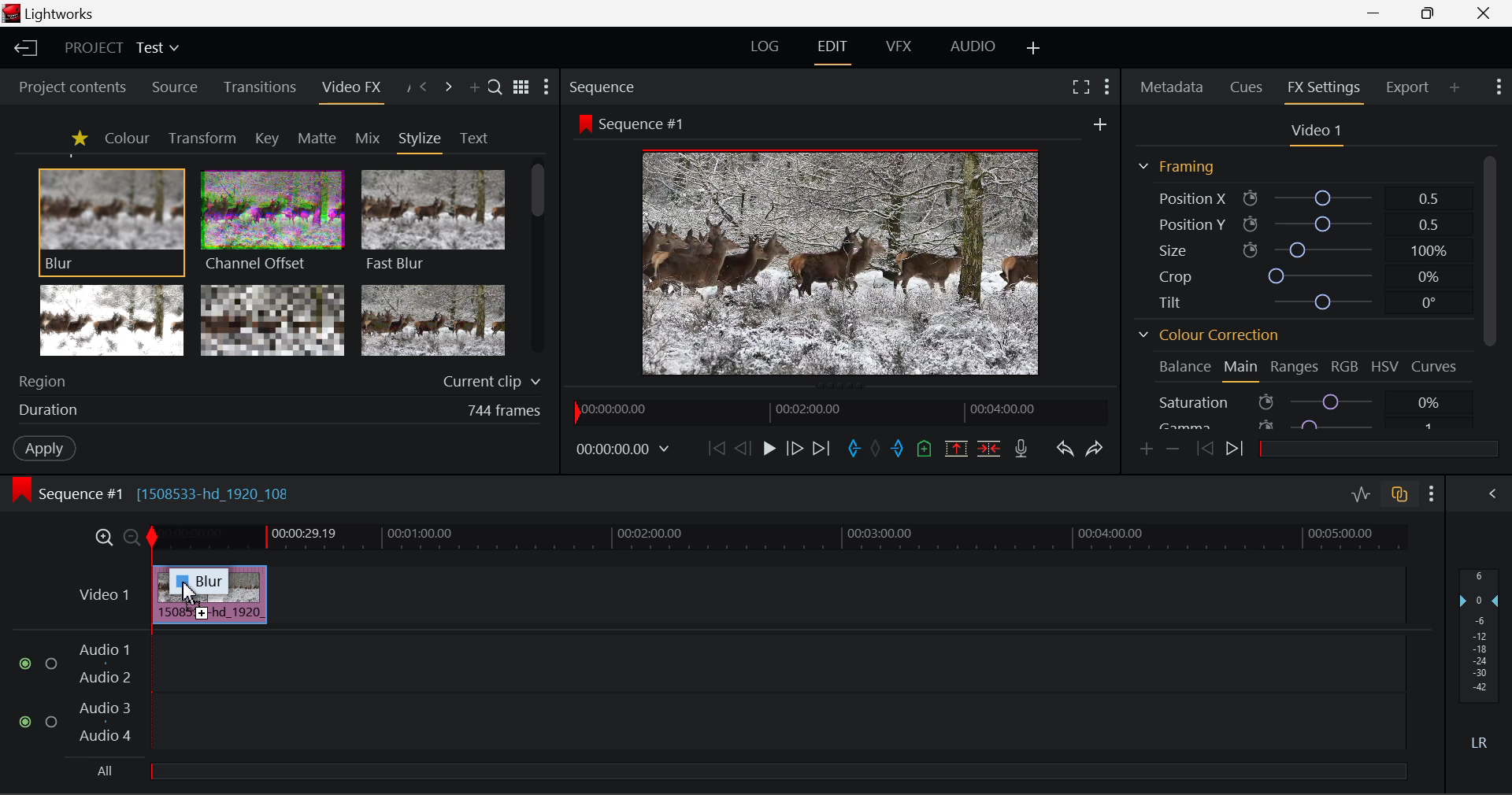 Image resolution: width=1512 pixels, height=795 pixels. What do you see at coordinates (496, 89) in the screenshot?
I see `Search` at bounding box center [496, 89].